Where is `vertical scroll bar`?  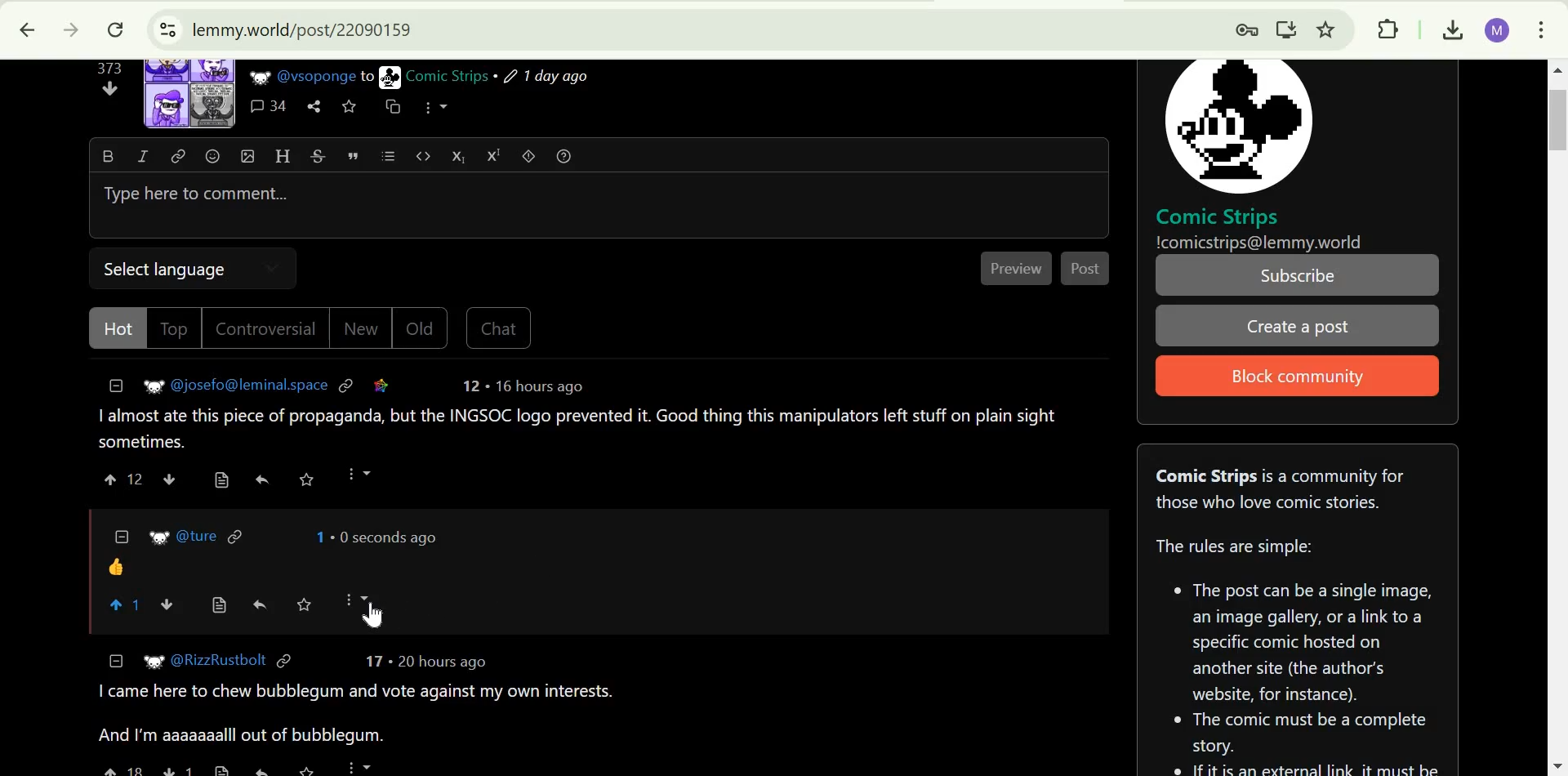
vertical scroll bar is located at coordinates (1550, 119).